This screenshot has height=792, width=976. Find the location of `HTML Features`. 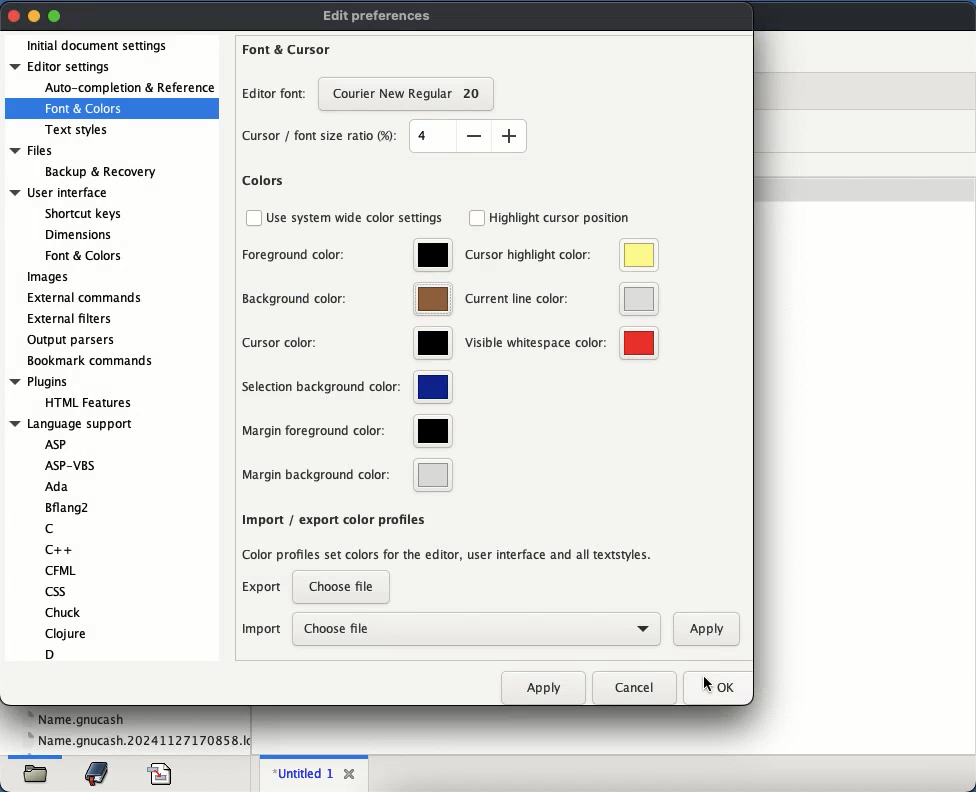

HTML Features is located at coordinates (88, 402).